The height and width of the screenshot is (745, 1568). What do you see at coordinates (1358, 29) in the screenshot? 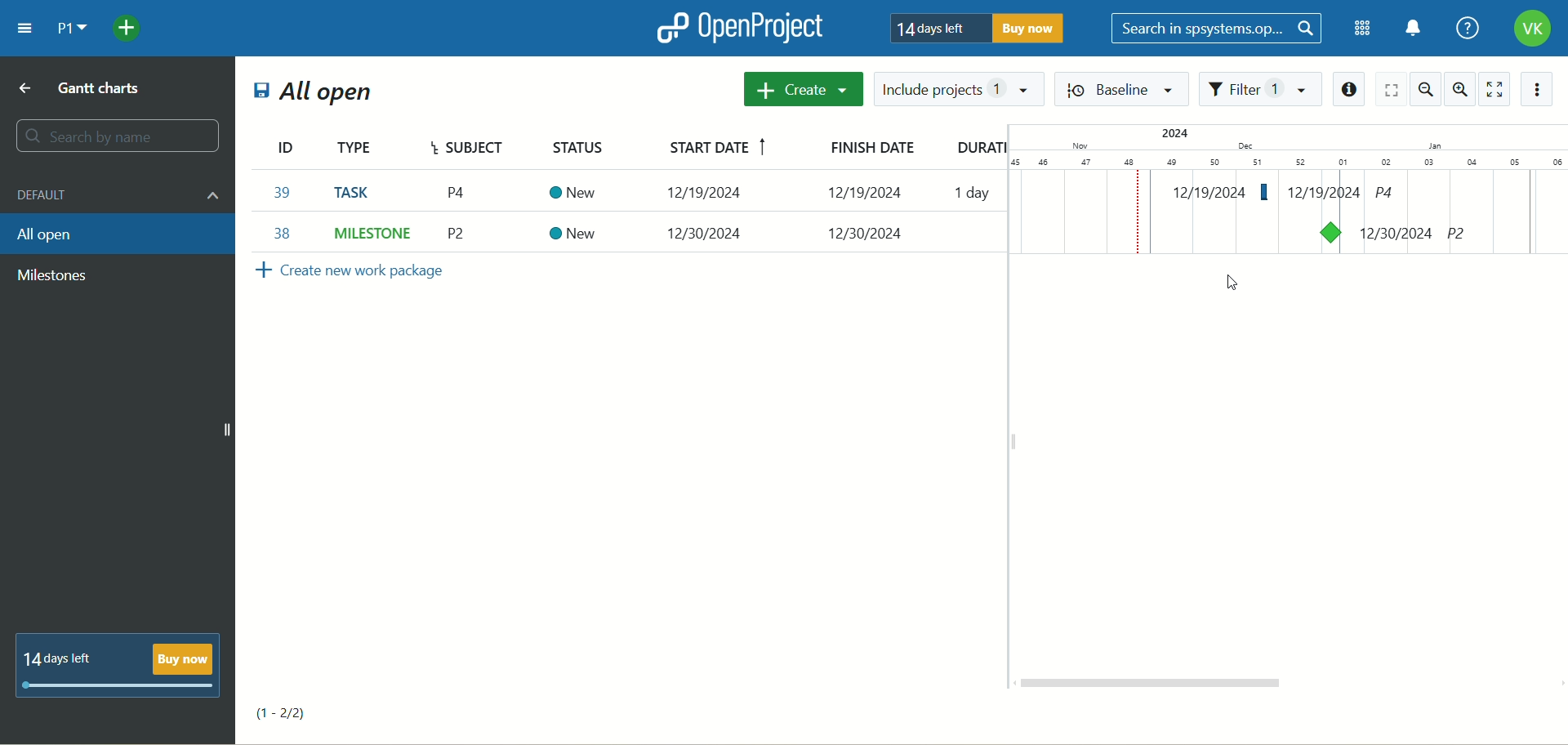
I see `modules` at bounding box center [1358, 29].